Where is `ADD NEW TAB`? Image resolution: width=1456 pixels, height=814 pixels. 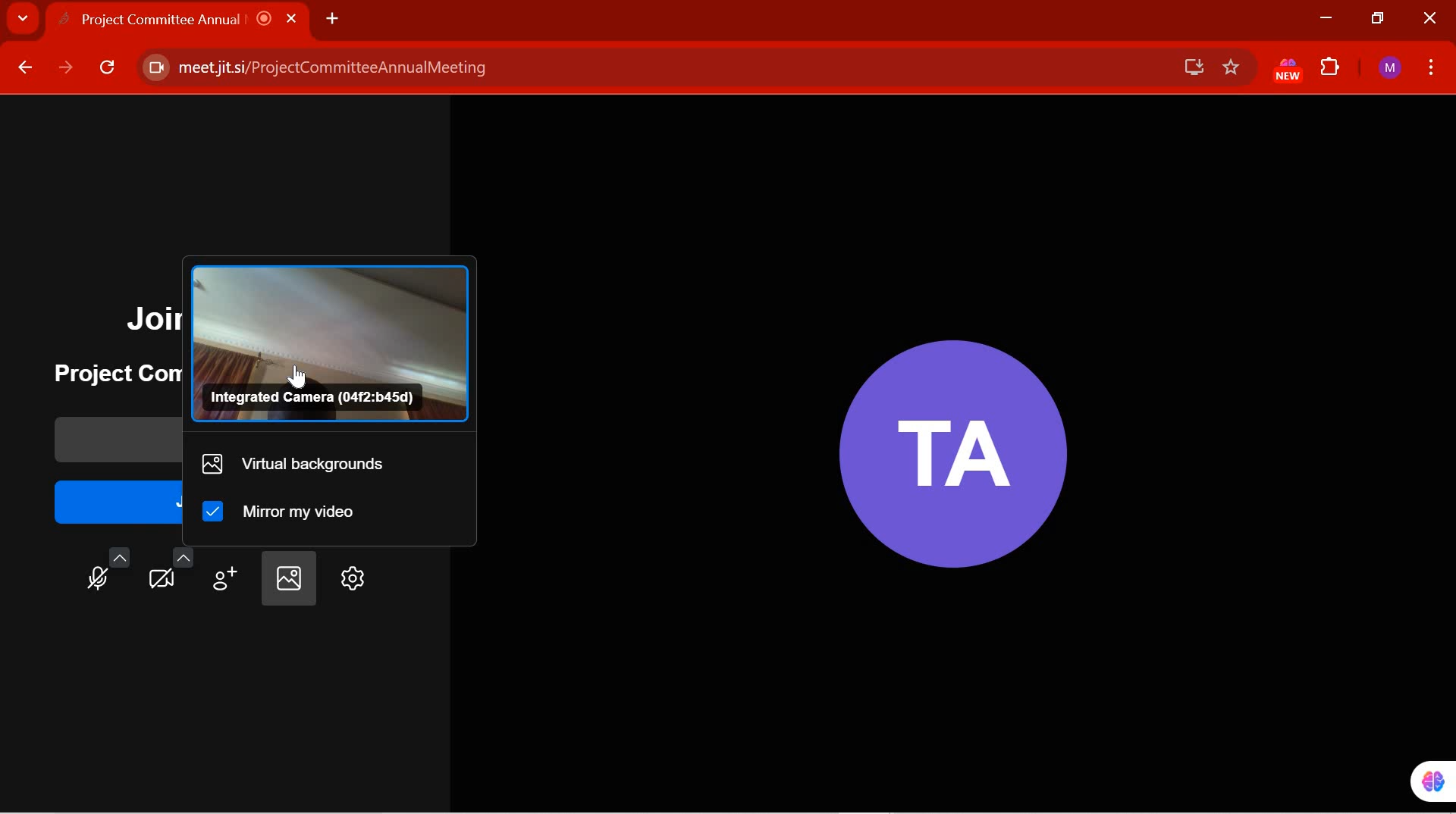
ADD NEW TAB is located at coordinates (332, 17).